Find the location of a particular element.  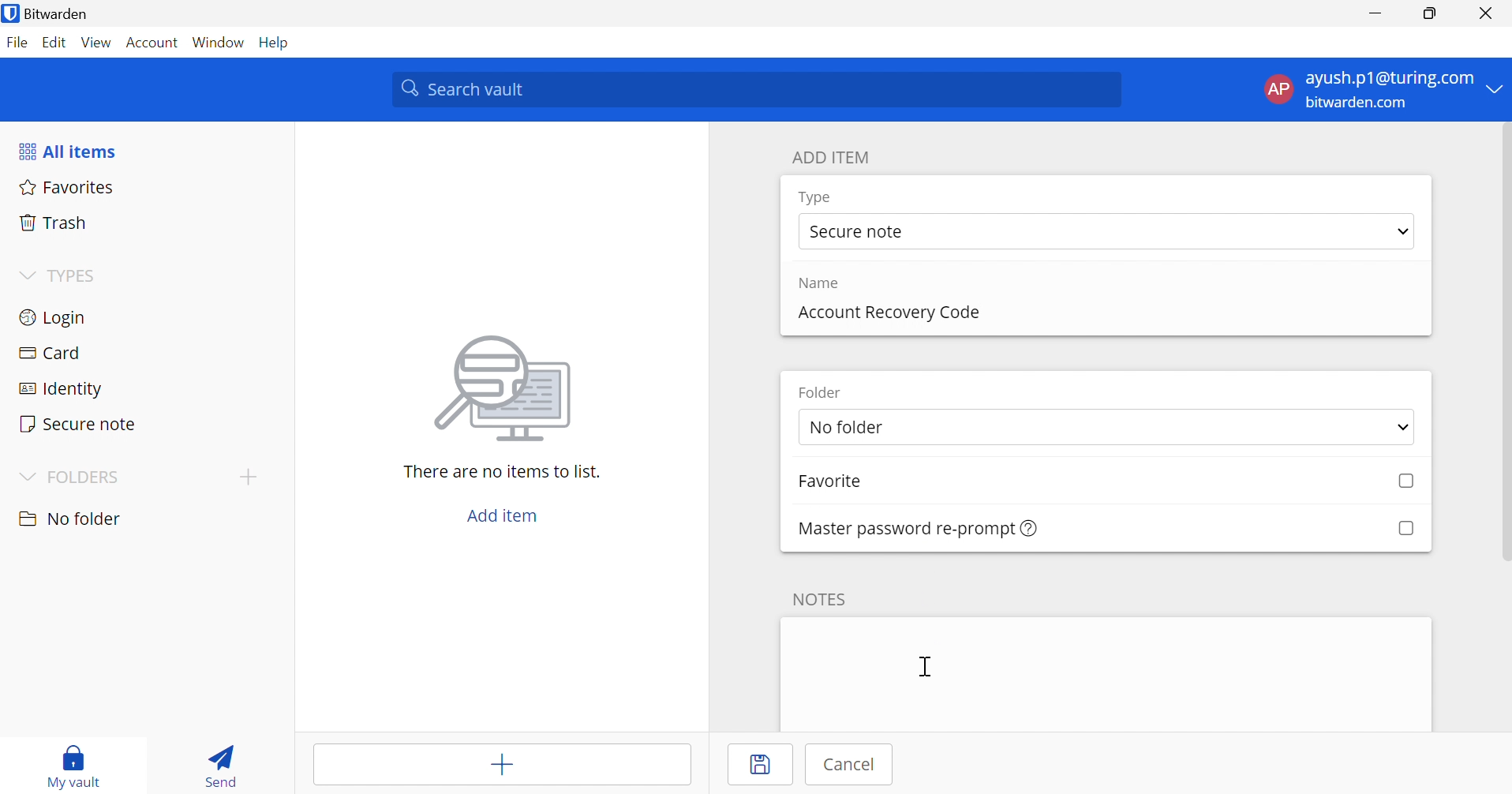

View is located at coordinates (96, 42).